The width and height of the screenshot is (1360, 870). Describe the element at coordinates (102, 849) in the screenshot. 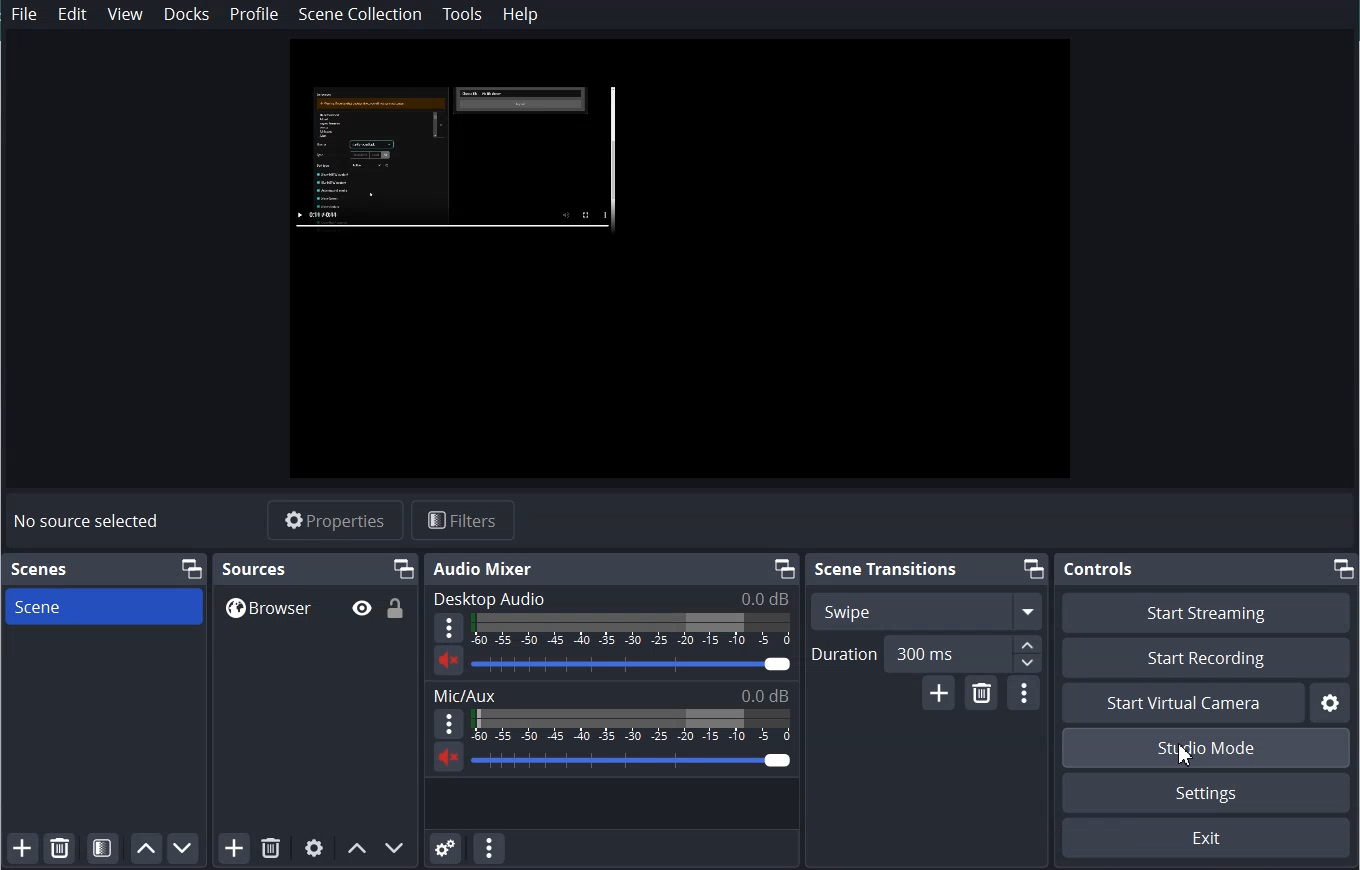

I see `Open scene Filter` at that location.